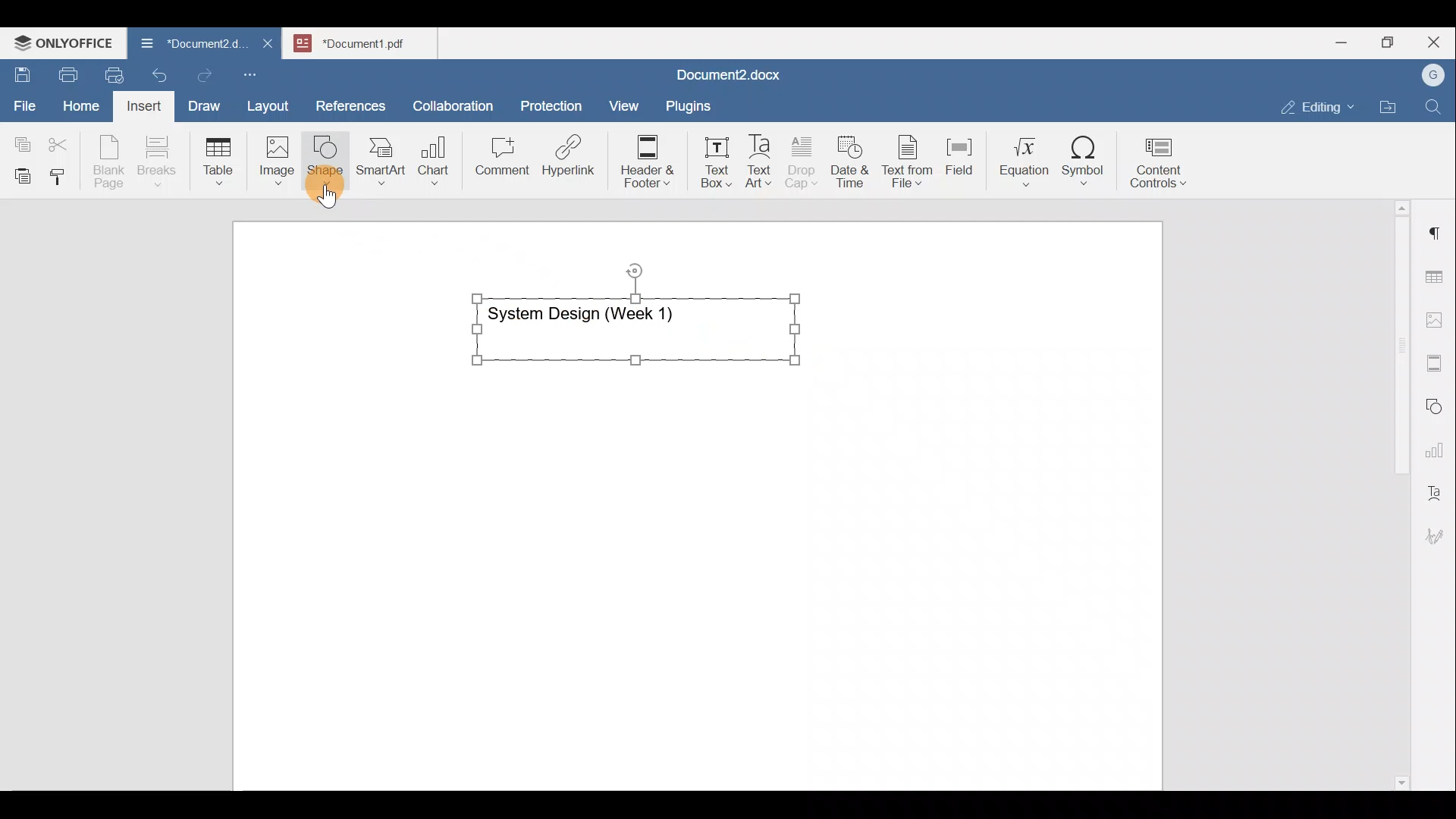 This screenshot has height=819, width=1456. What do you see at coordinates (1392, 42) in the screenshot?
I see `Maximize` at bounding box center [1392, 42].